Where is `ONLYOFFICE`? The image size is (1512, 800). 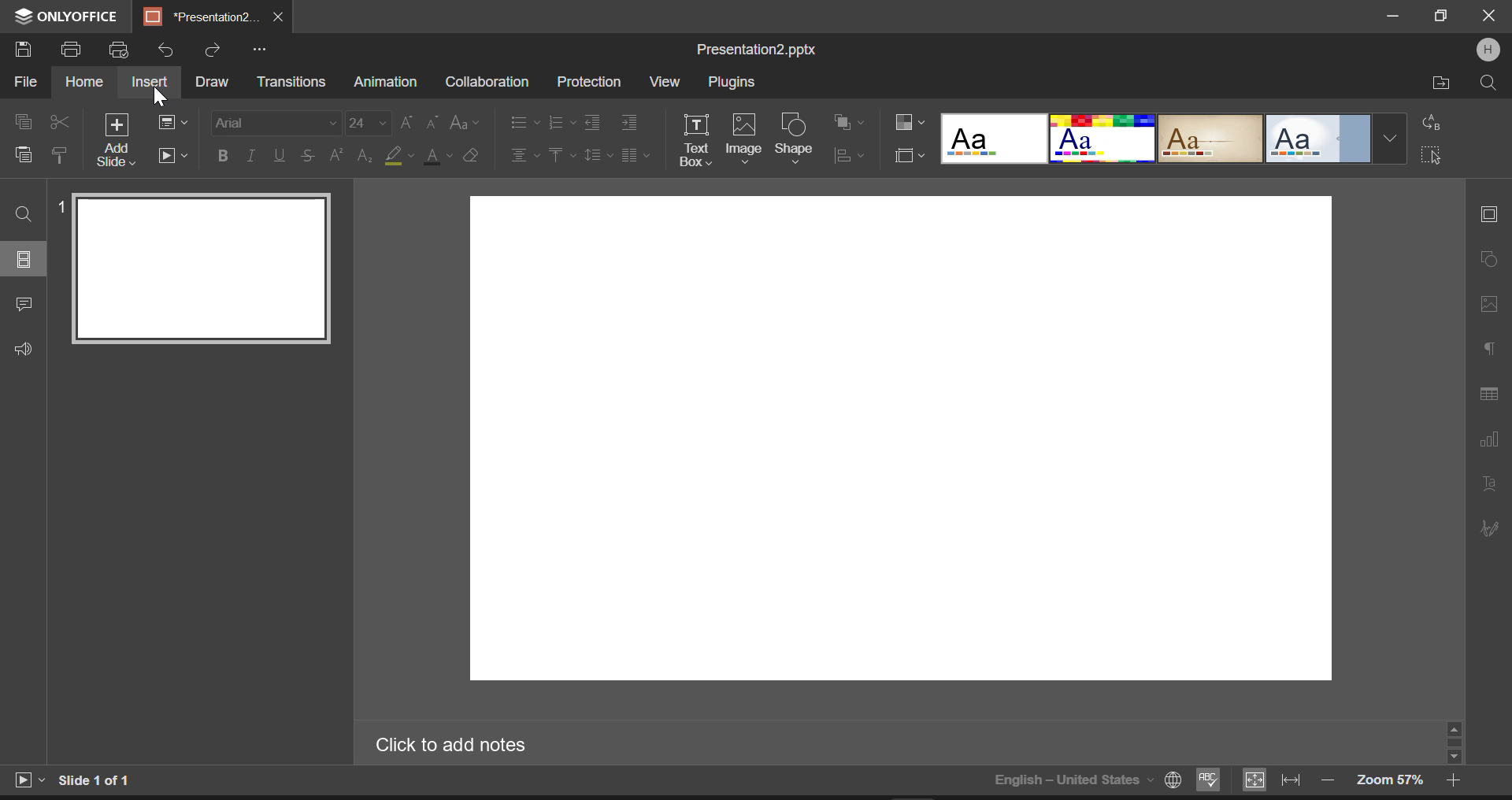 ONLYOFFICE is located at coordinates (63, 17).